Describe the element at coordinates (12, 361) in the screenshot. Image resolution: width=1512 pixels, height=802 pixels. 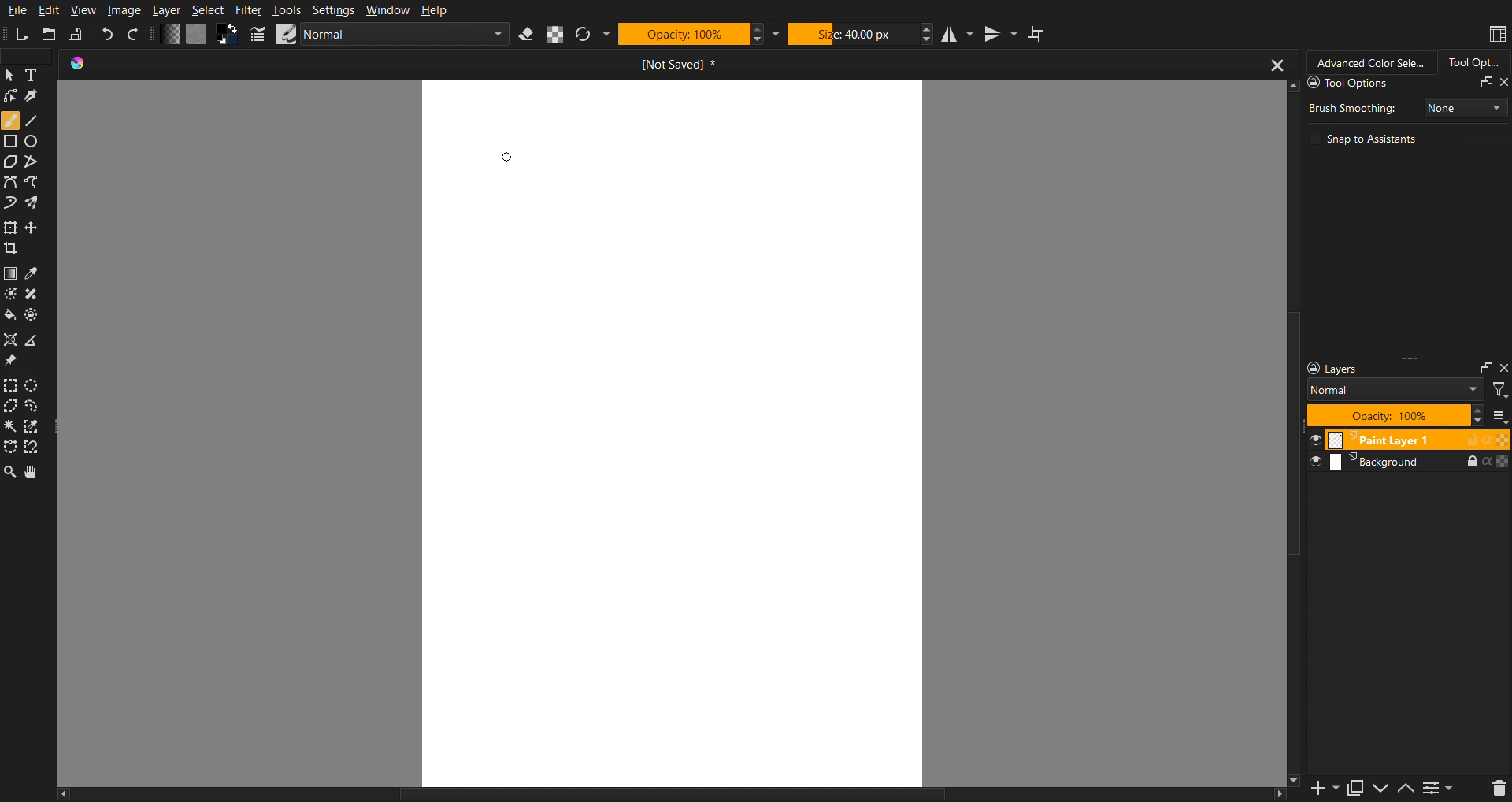
I see `Pin` at that location.